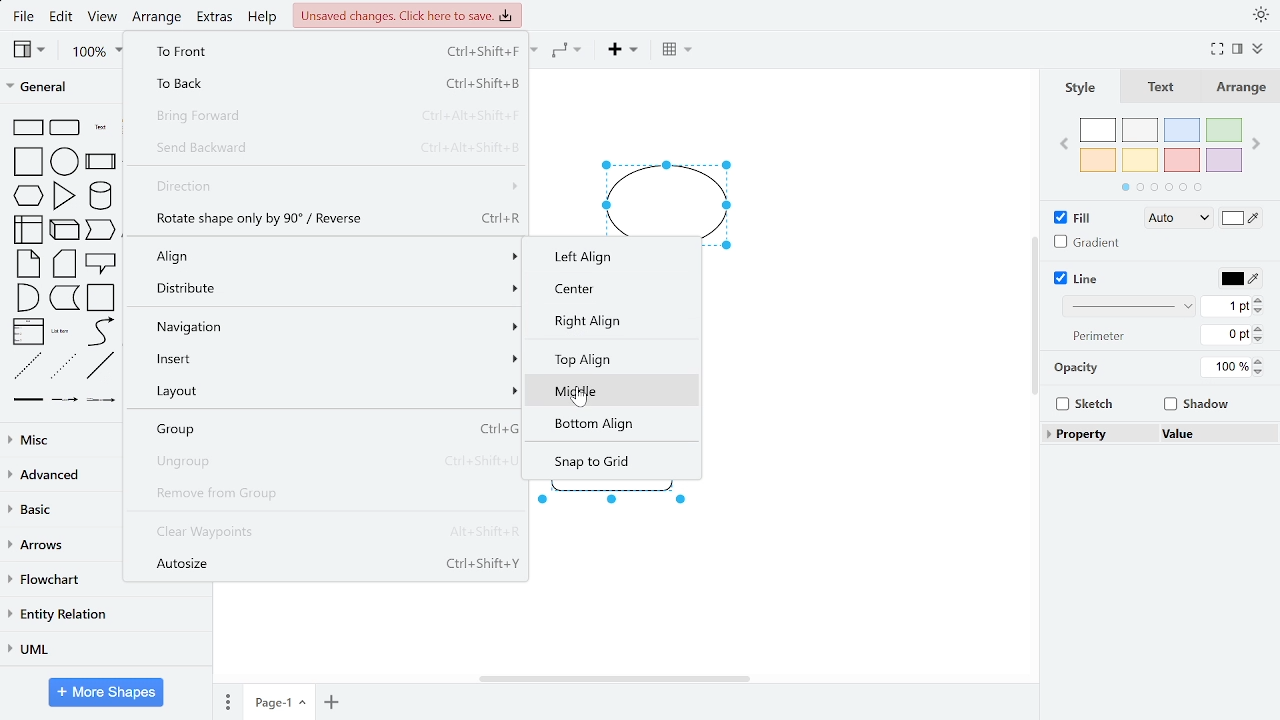 The height and width of the screenshot is (720, 1280). What do you see at coordinates (29, 194) in the screenshot?
I see `hexagon` at bounding box center [29, 194].